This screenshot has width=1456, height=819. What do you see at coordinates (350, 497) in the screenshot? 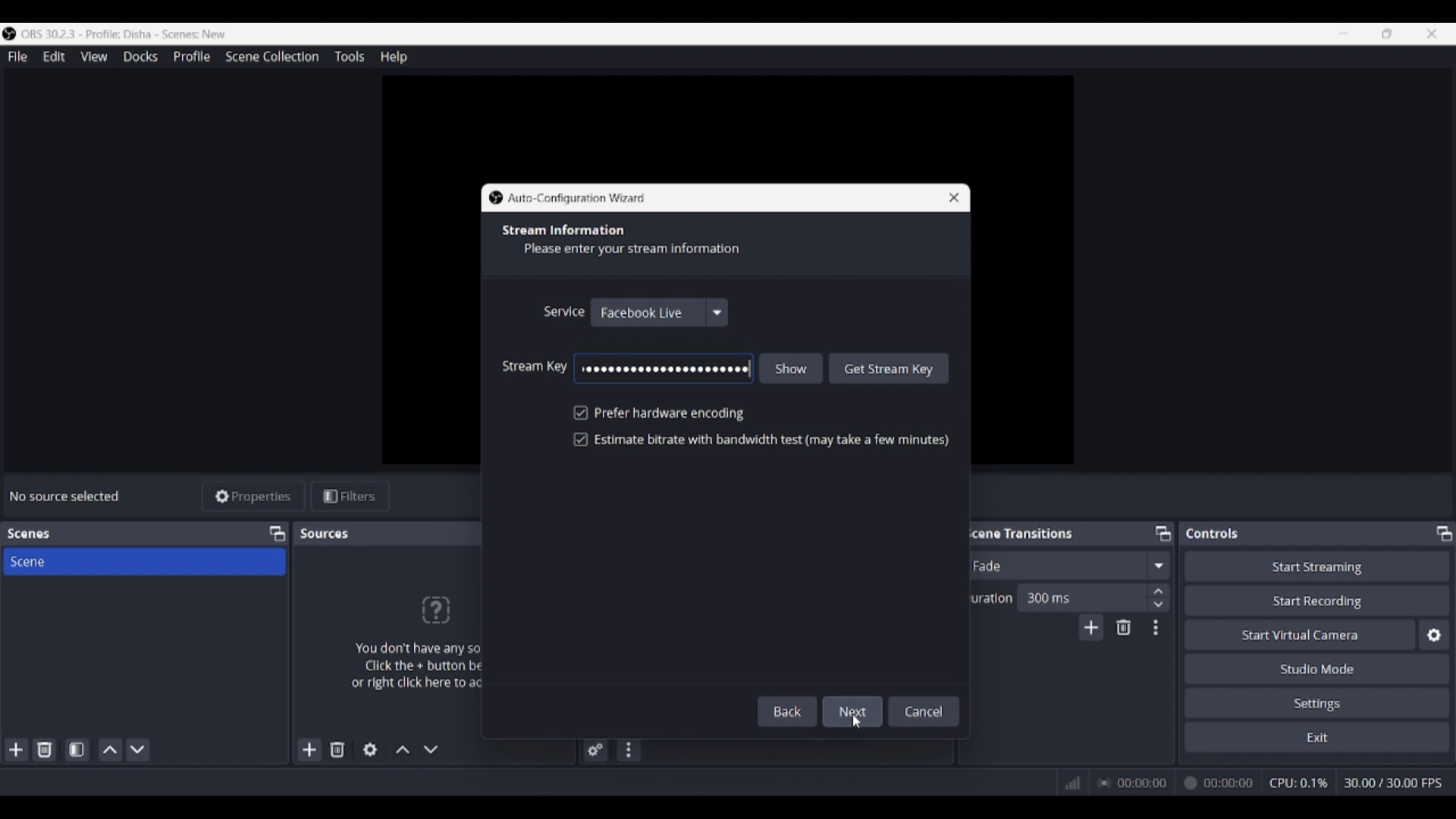
I see `Filters` at bounding box center [350, 497].